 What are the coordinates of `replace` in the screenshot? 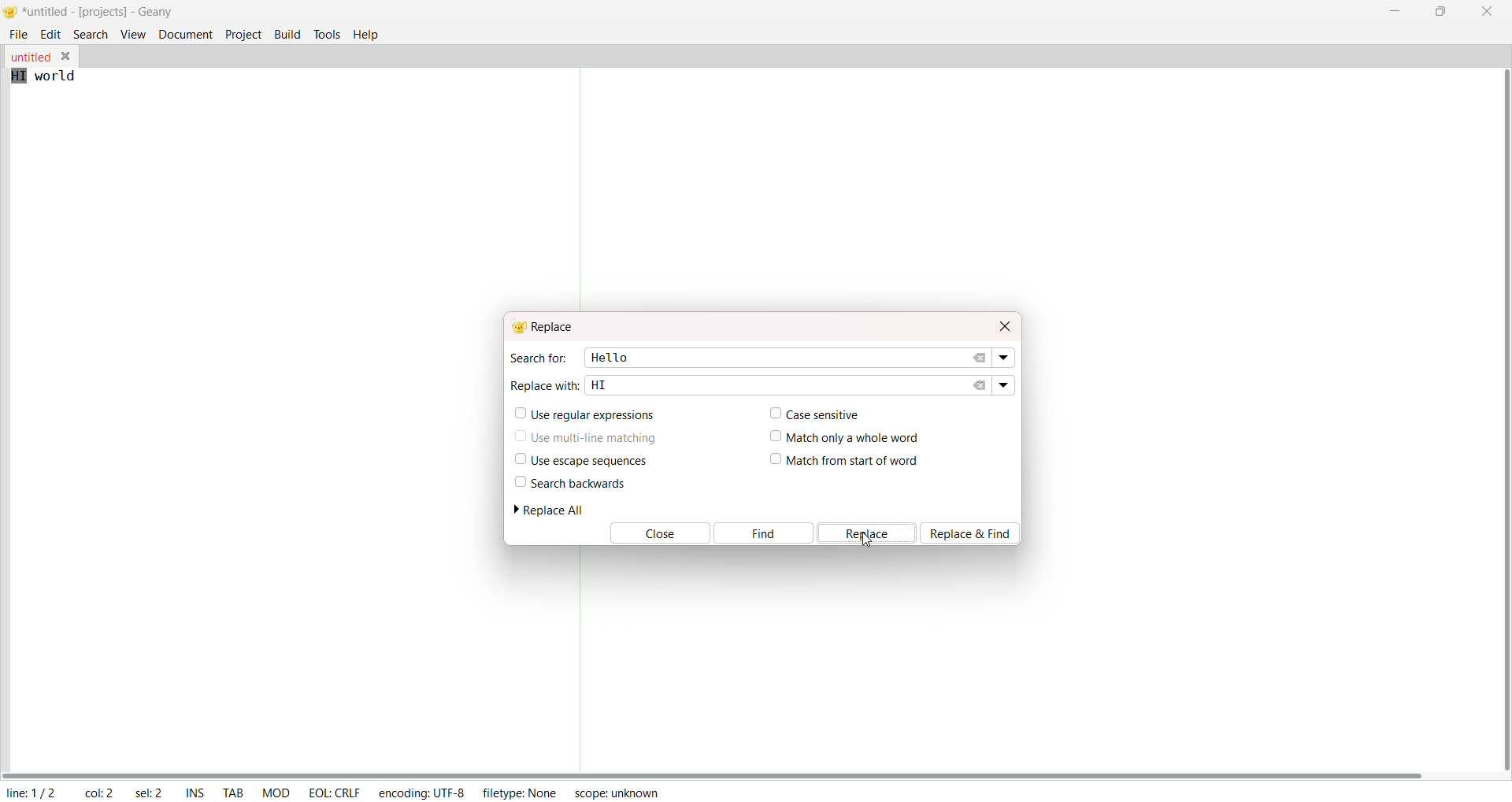 It's located at (547, 327).